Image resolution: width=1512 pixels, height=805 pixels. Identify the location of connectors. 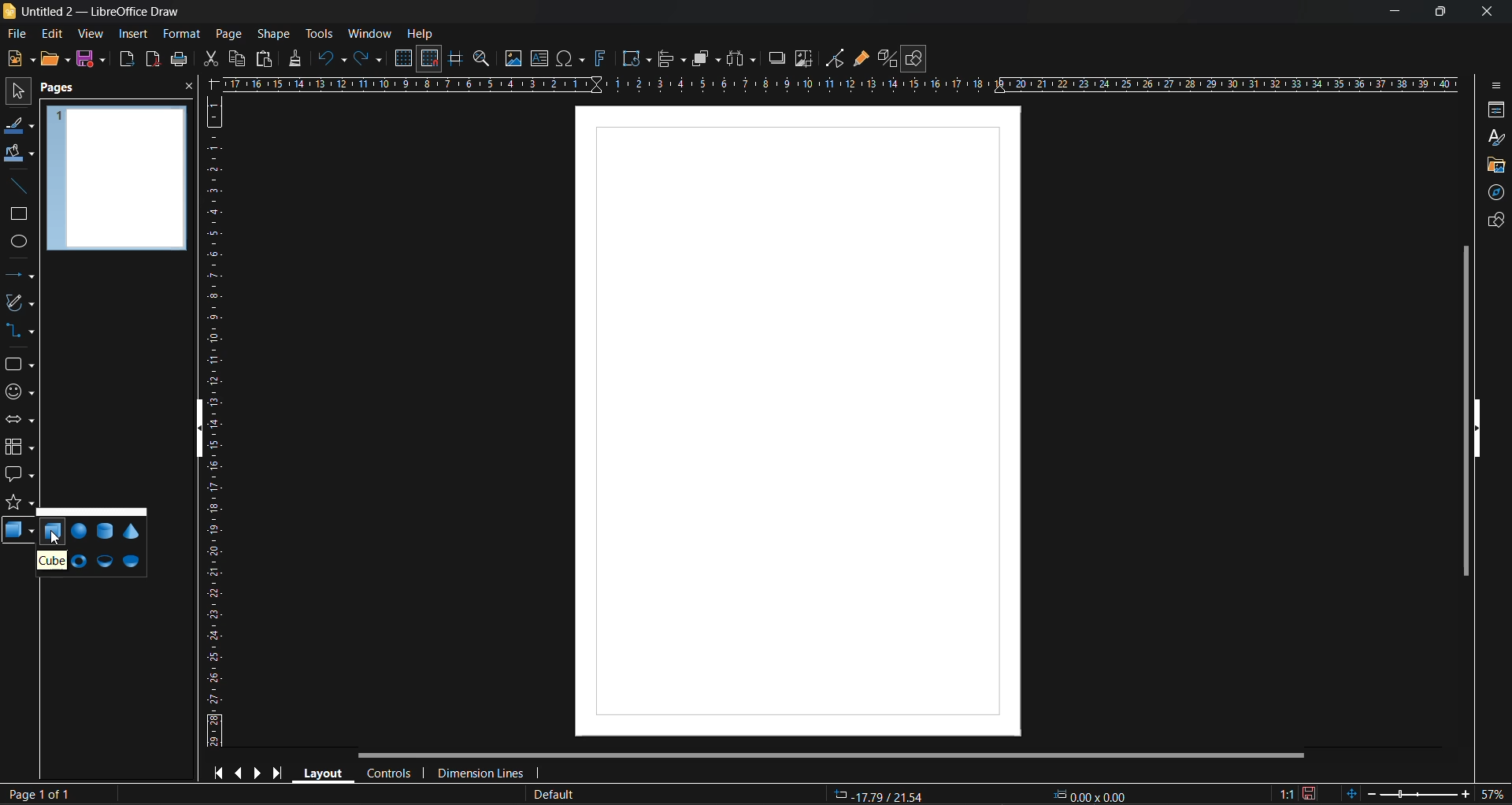
(20, 332).